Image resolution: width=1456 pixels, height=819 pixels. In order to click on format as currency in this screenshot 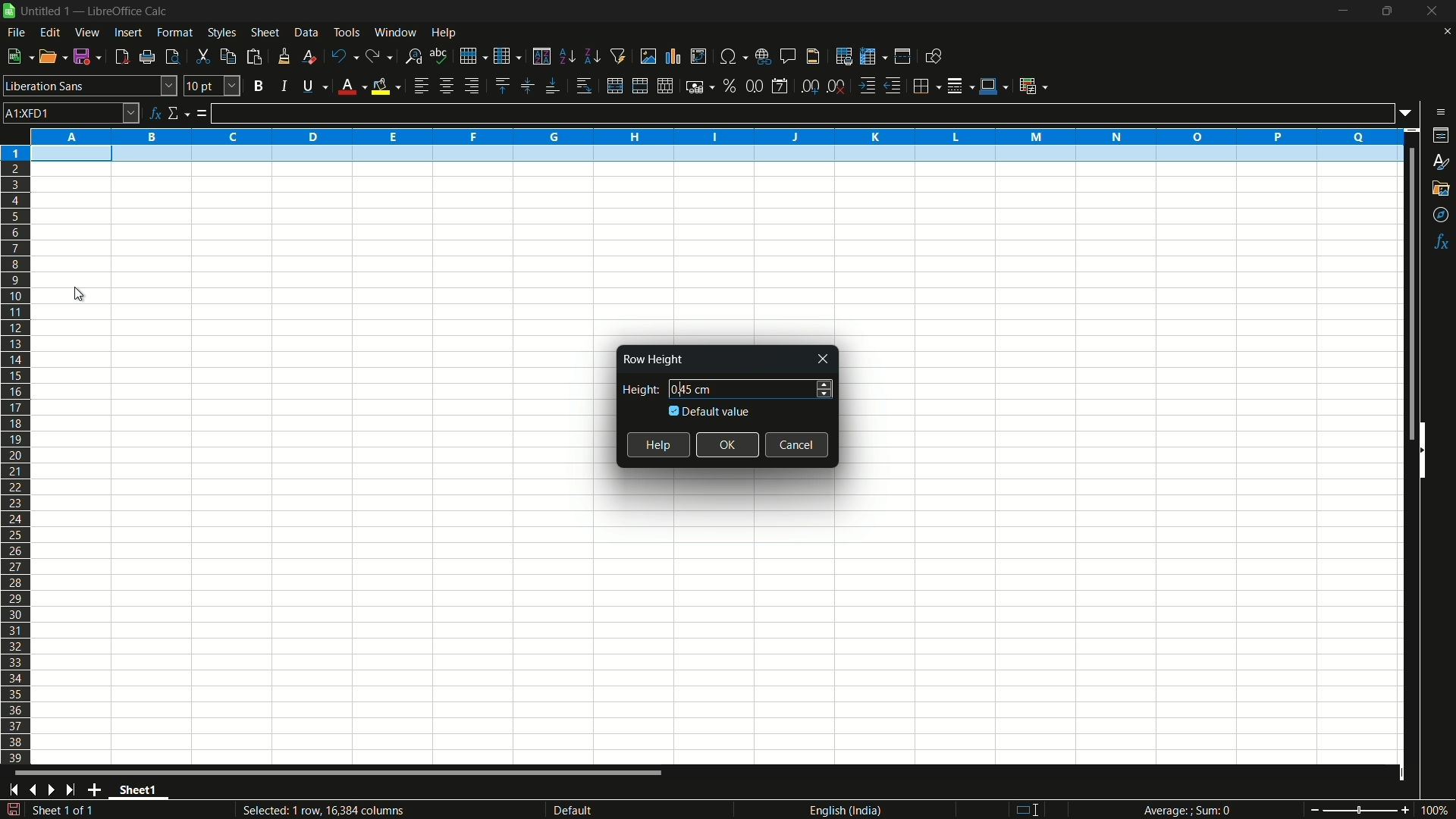, I will do `click(700, 86)`.